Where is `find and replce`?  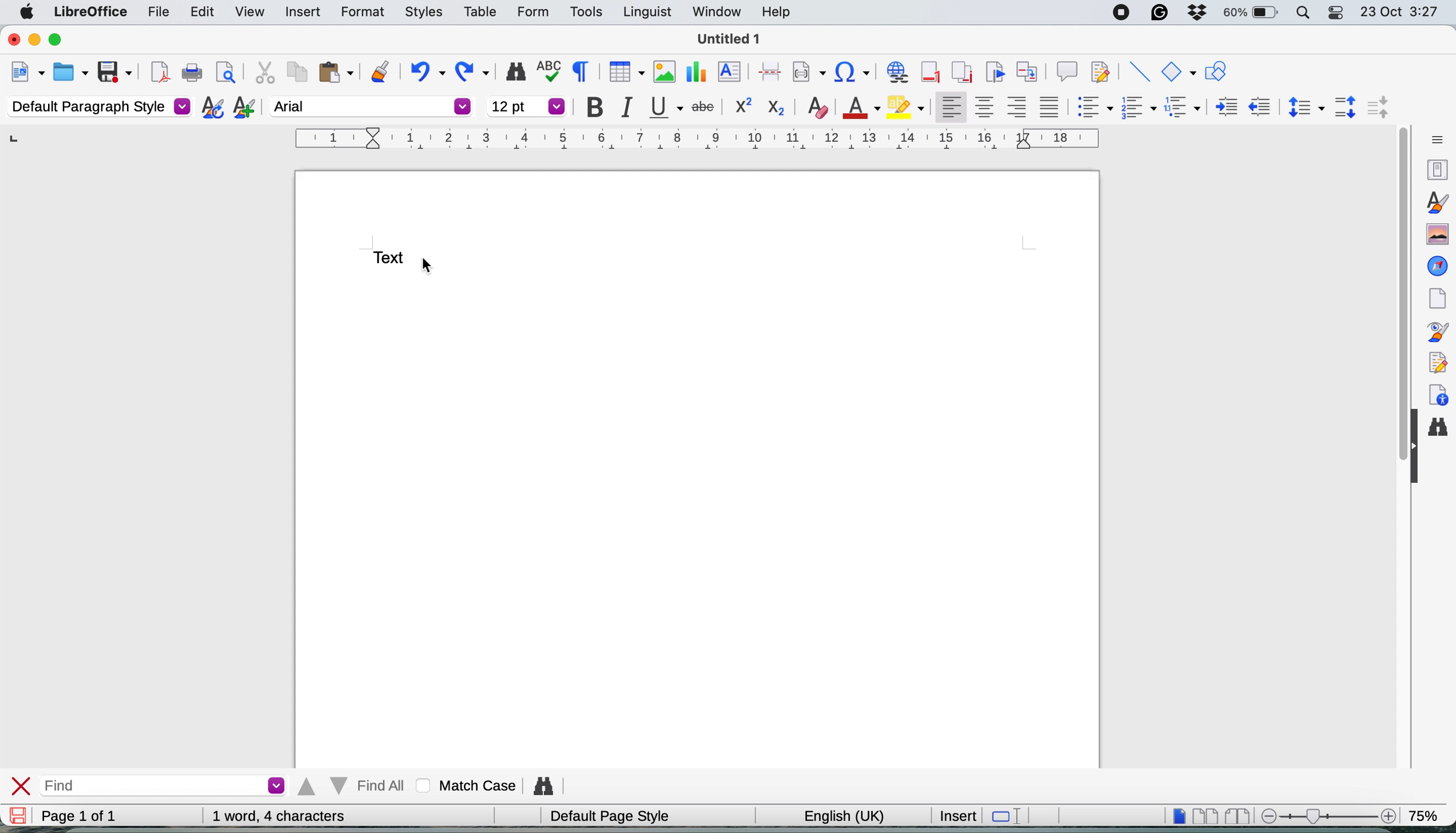 find and replce is located at coordinates (541, 786).